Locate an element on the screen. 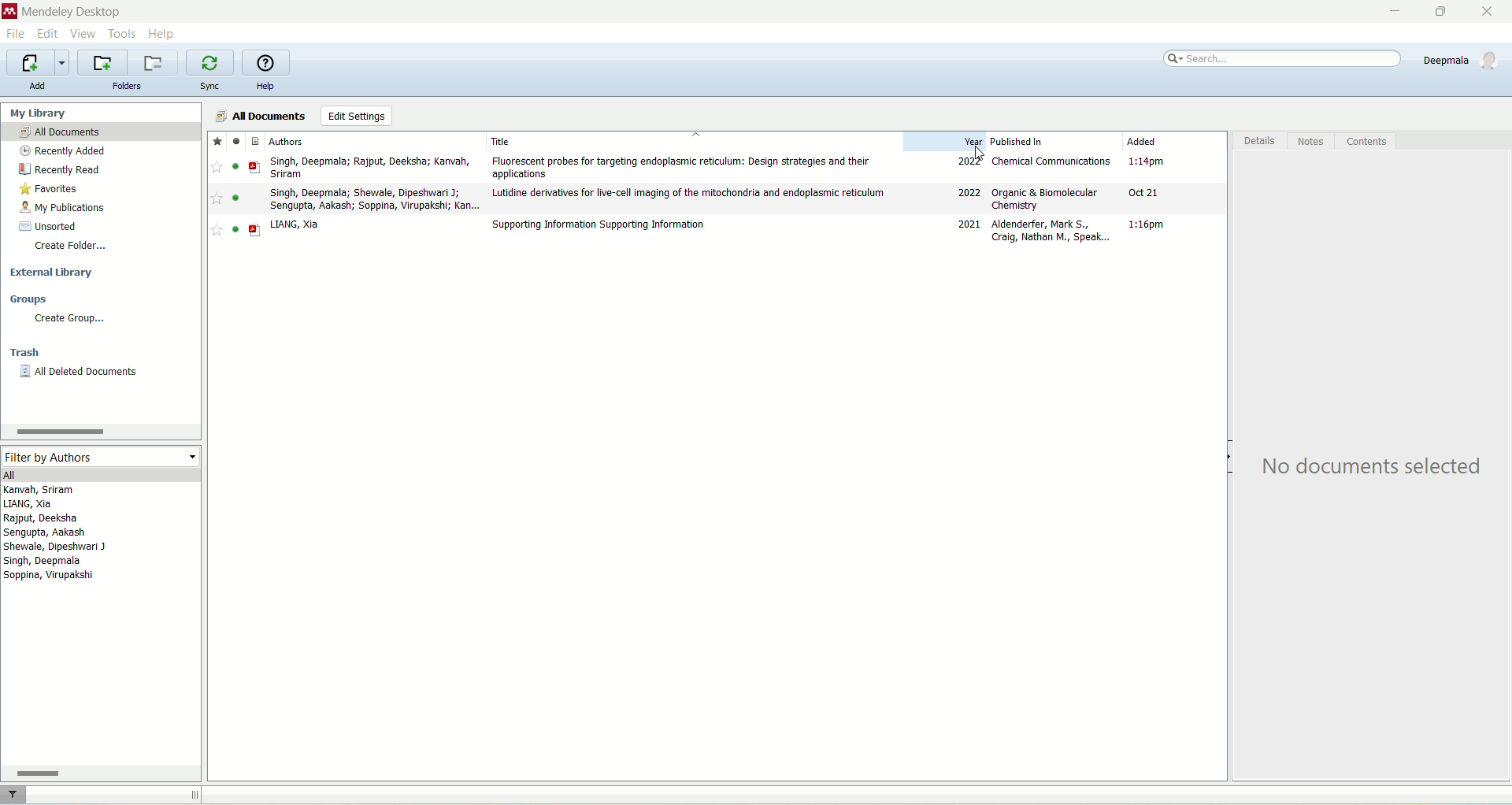 The image size is (1512, 805). trash is located at coordinates (26, 352).